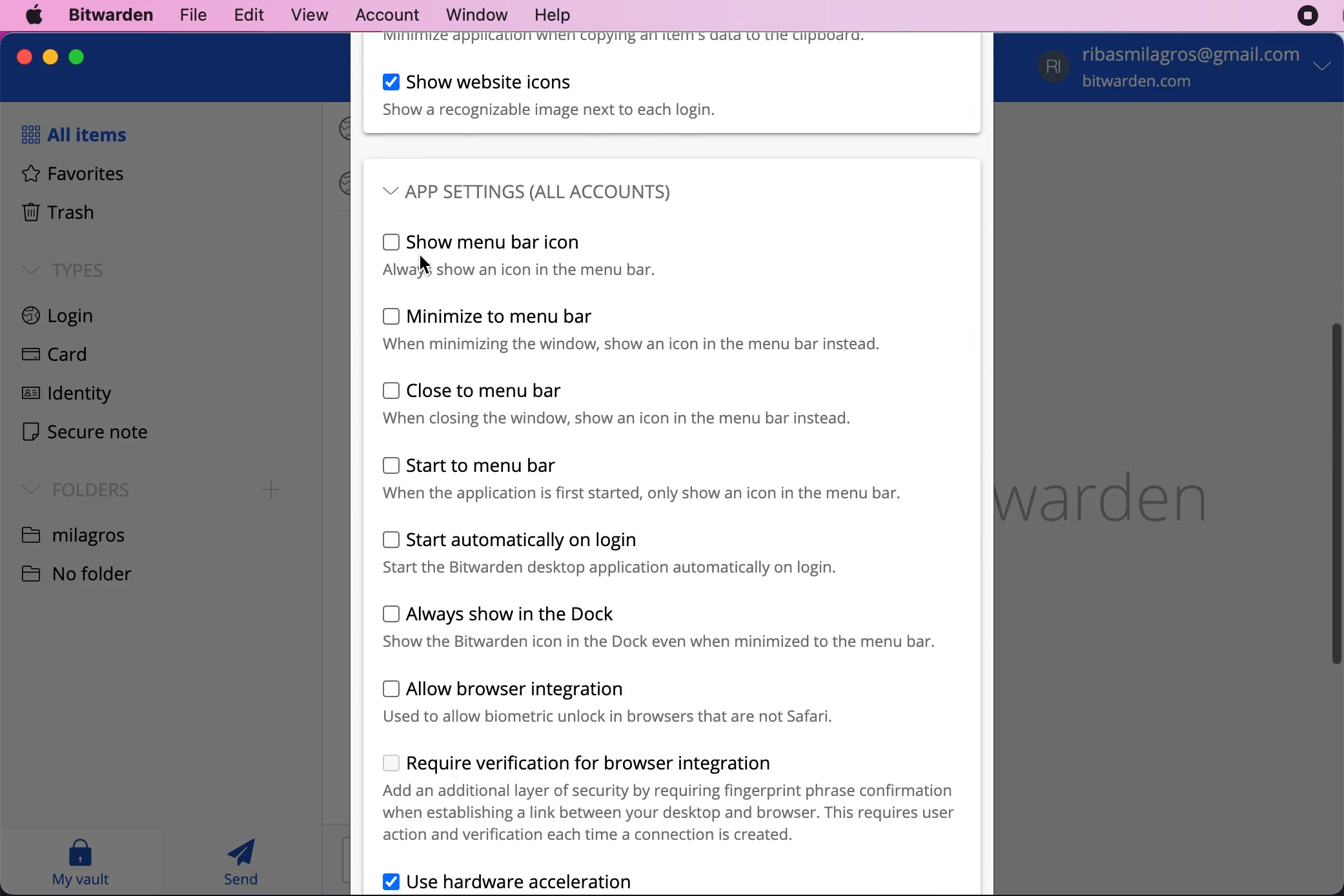  What do you see at coordinates (469, 15) in the screenshot?
I see `window` at bounding box center [469, 15].